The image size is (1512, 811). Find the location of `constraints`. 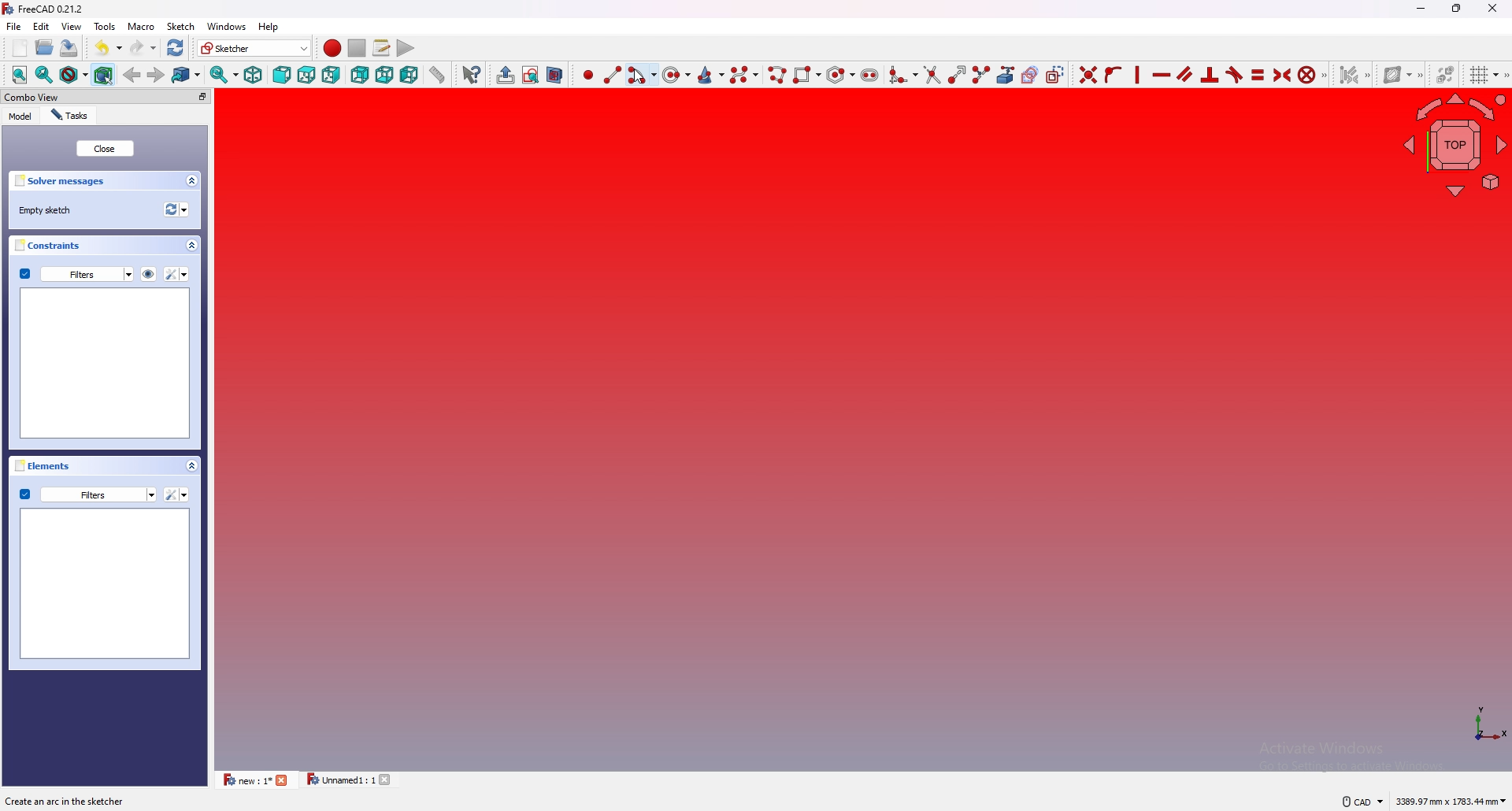

constraints is located at coordinates (54, 245).